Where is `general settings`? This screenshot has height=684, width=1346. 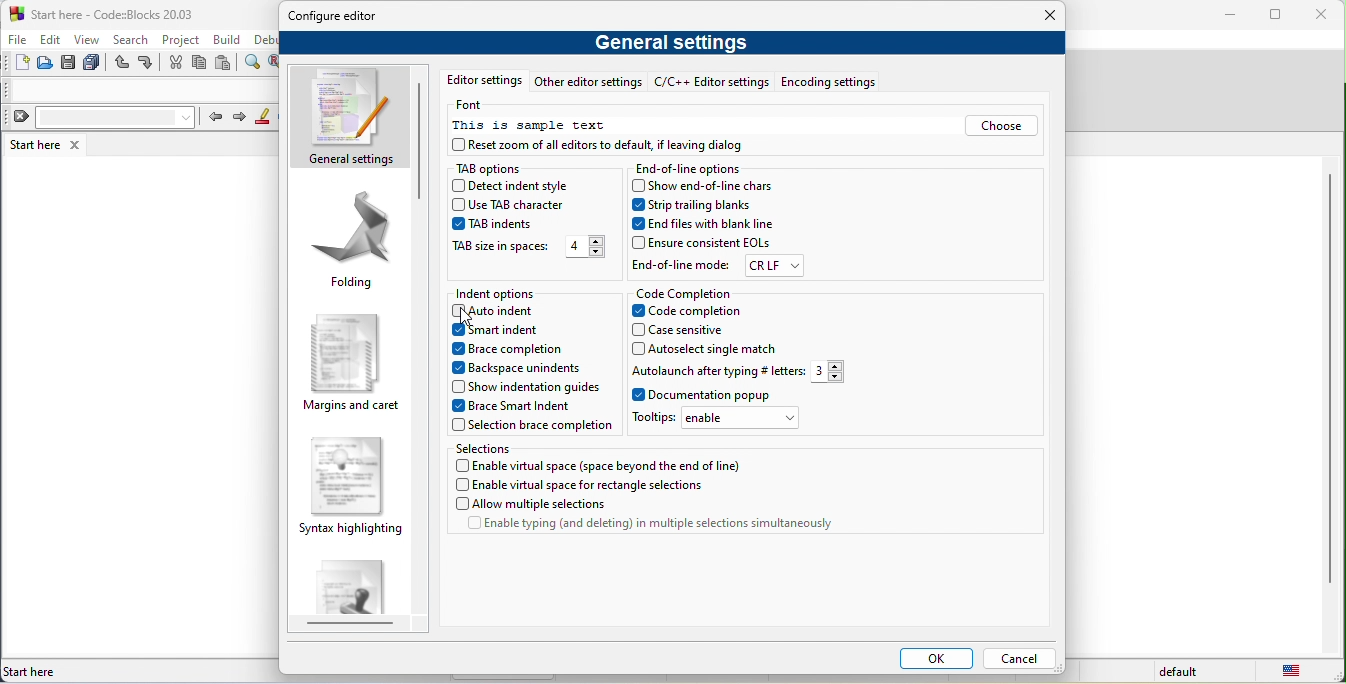 general settings is located at coordinates (350, 117).